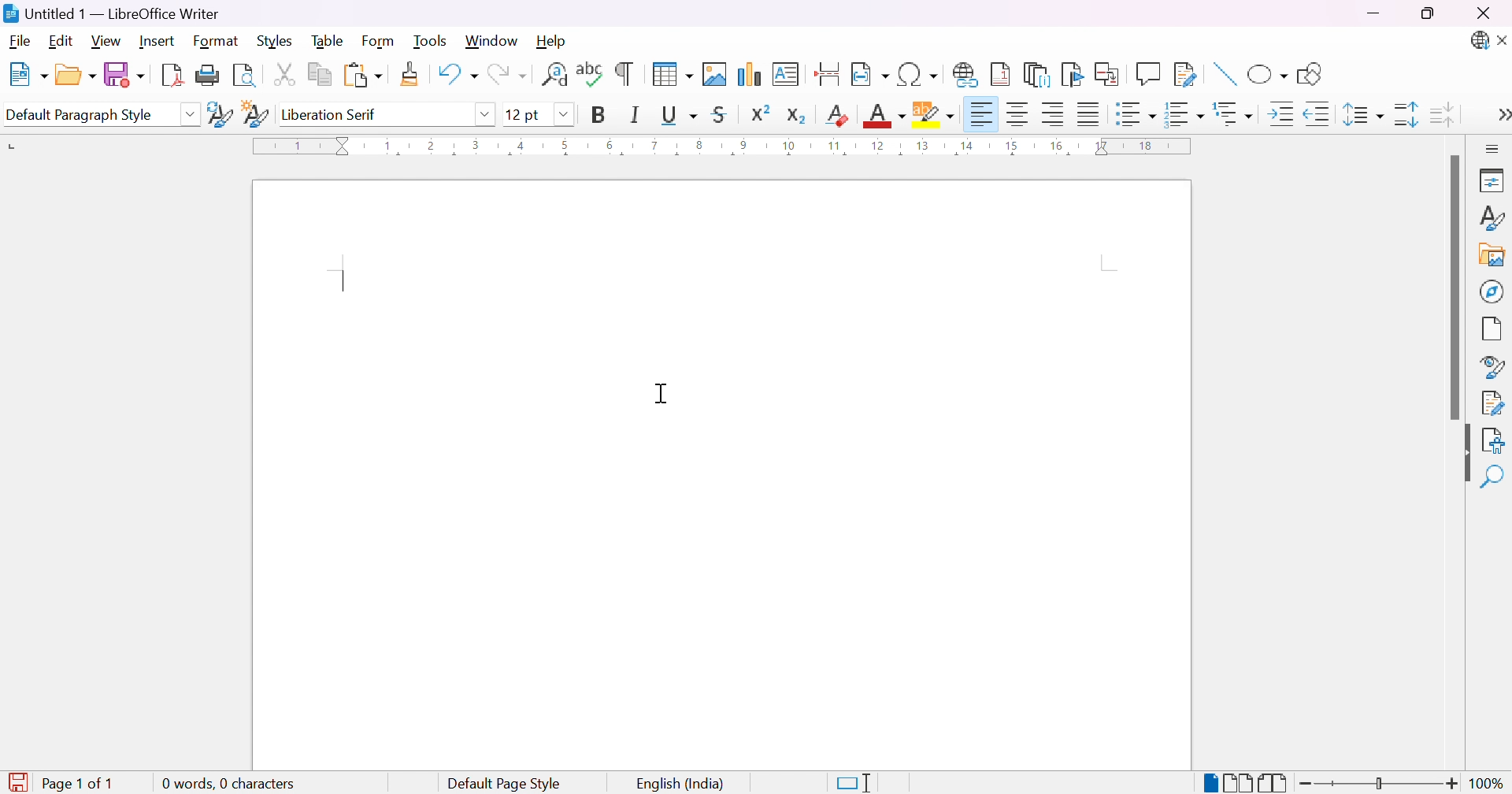 Image resolution: width=1512 pixels, height=794 pixels. Describe the element at coordinates (75, 73) in the screenshot. I see `Open` at that location.